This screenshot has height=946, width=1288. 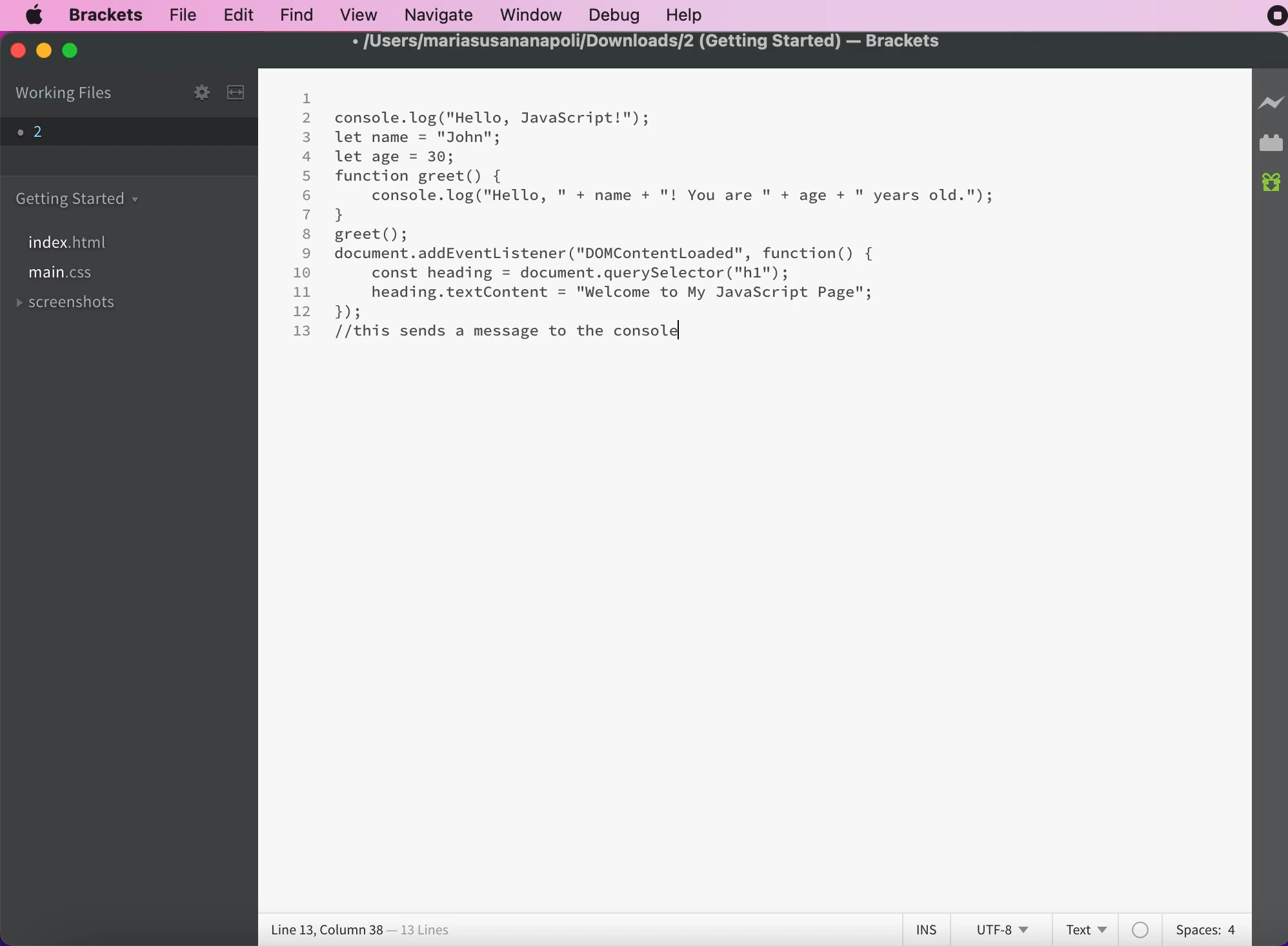 What do you see at coordinates (295, 16) in the screenshot?
I see `find` at bounding box center [295, 16].